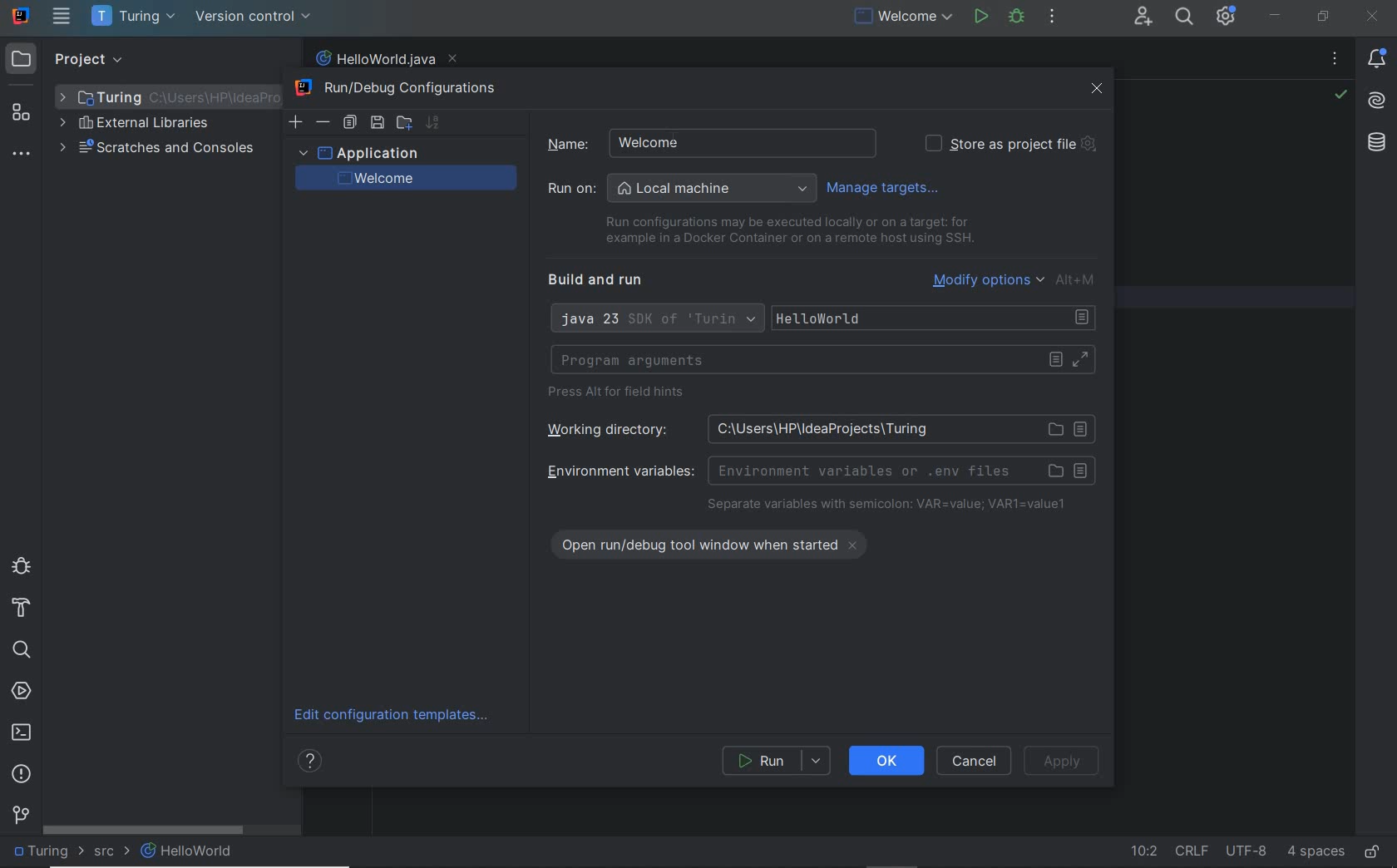 Image resolution: width=1397 pixels, height=868 pixels. Describe the element at coordinates (886, 760) in the screenshot. I see `OK` at that location.